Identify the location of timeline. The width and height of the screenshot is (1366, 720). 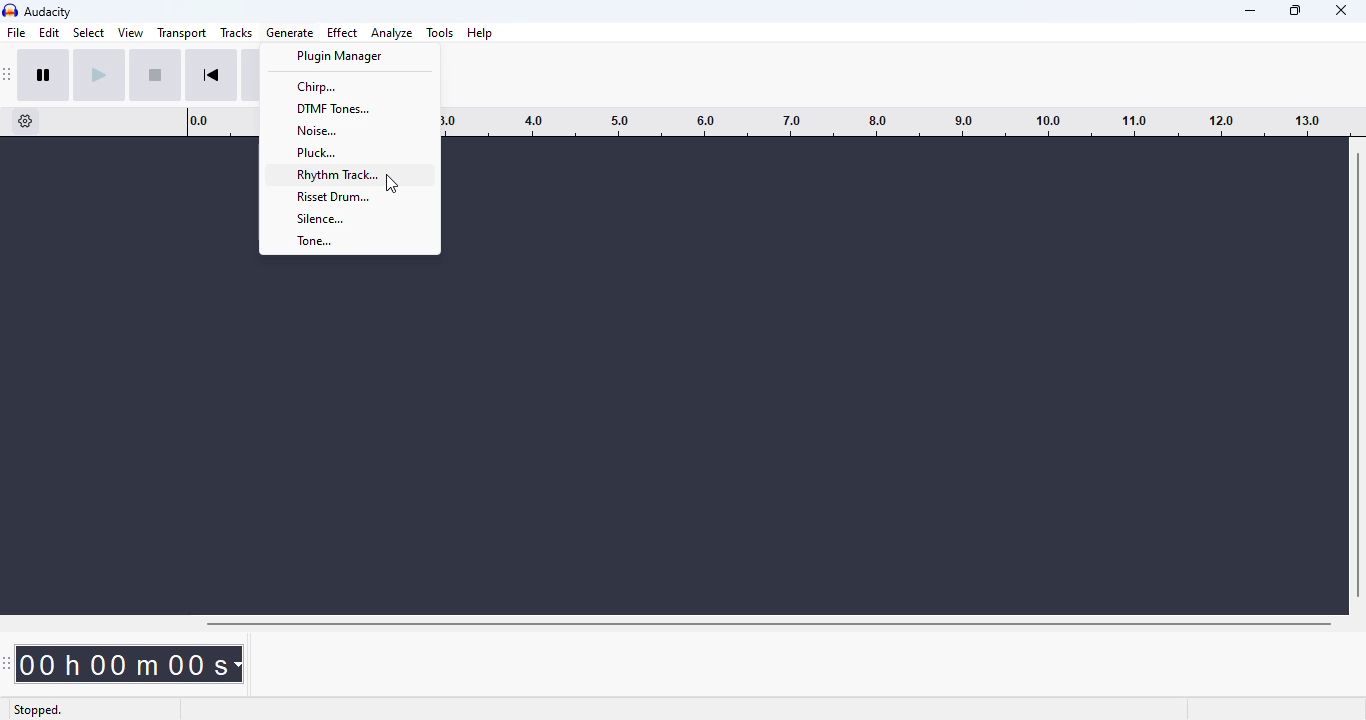
(900, 122).